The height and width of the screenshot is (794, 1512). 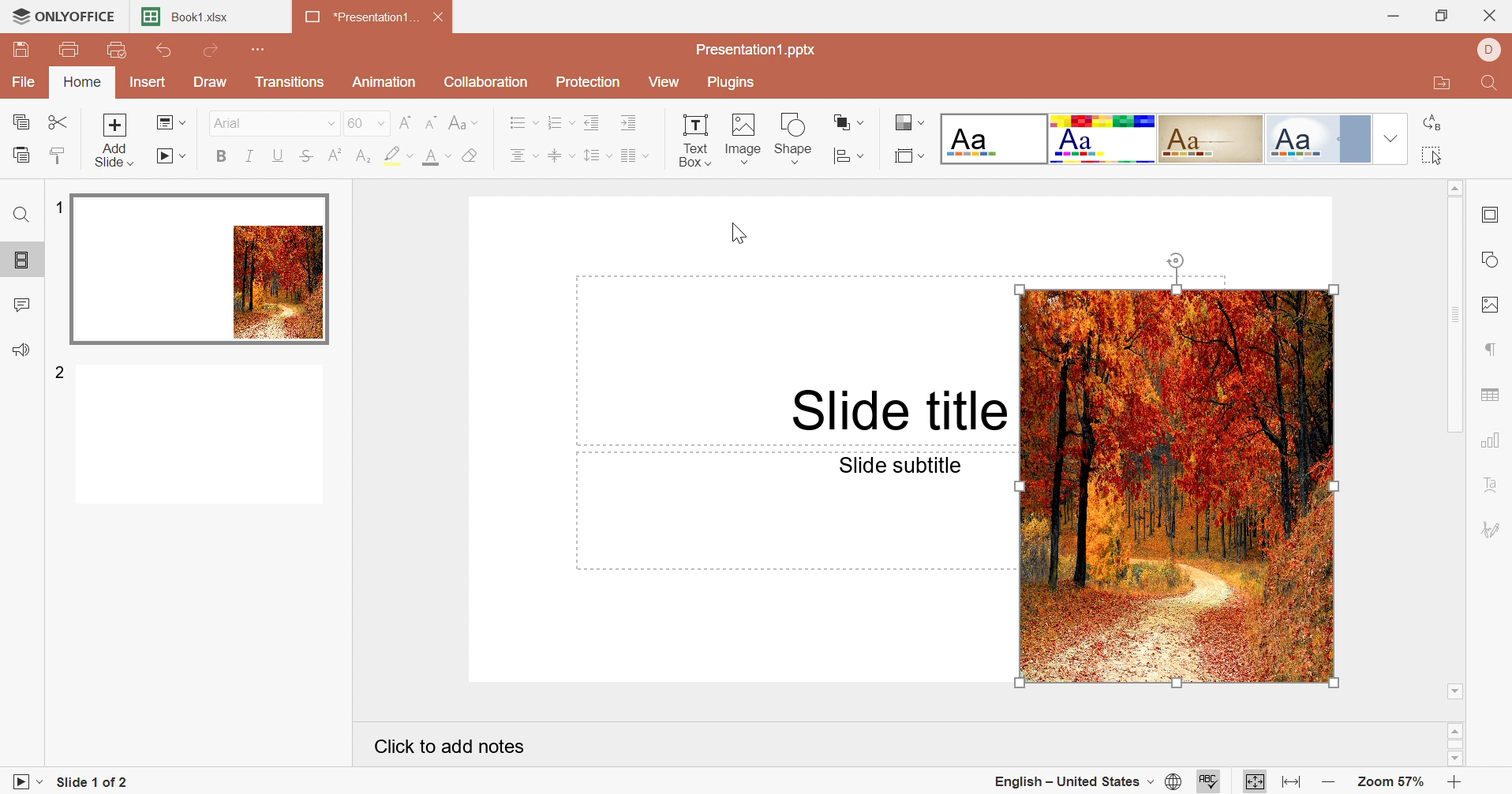 I want to click on Print file, so click(x=70, y=51).